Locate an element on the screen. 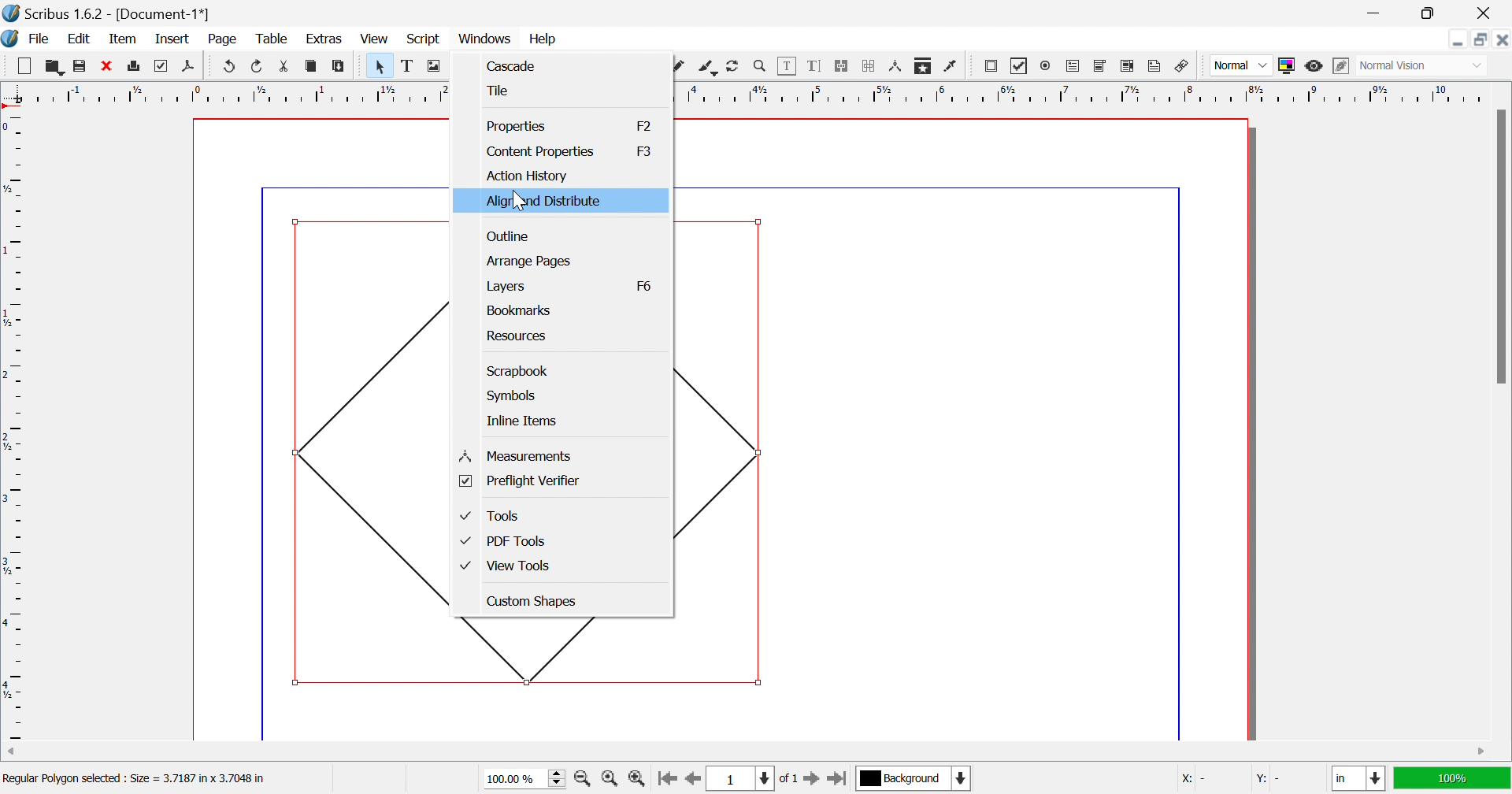 The image size is (1512, 794). Restore down is located at coordinates (1426, 13).